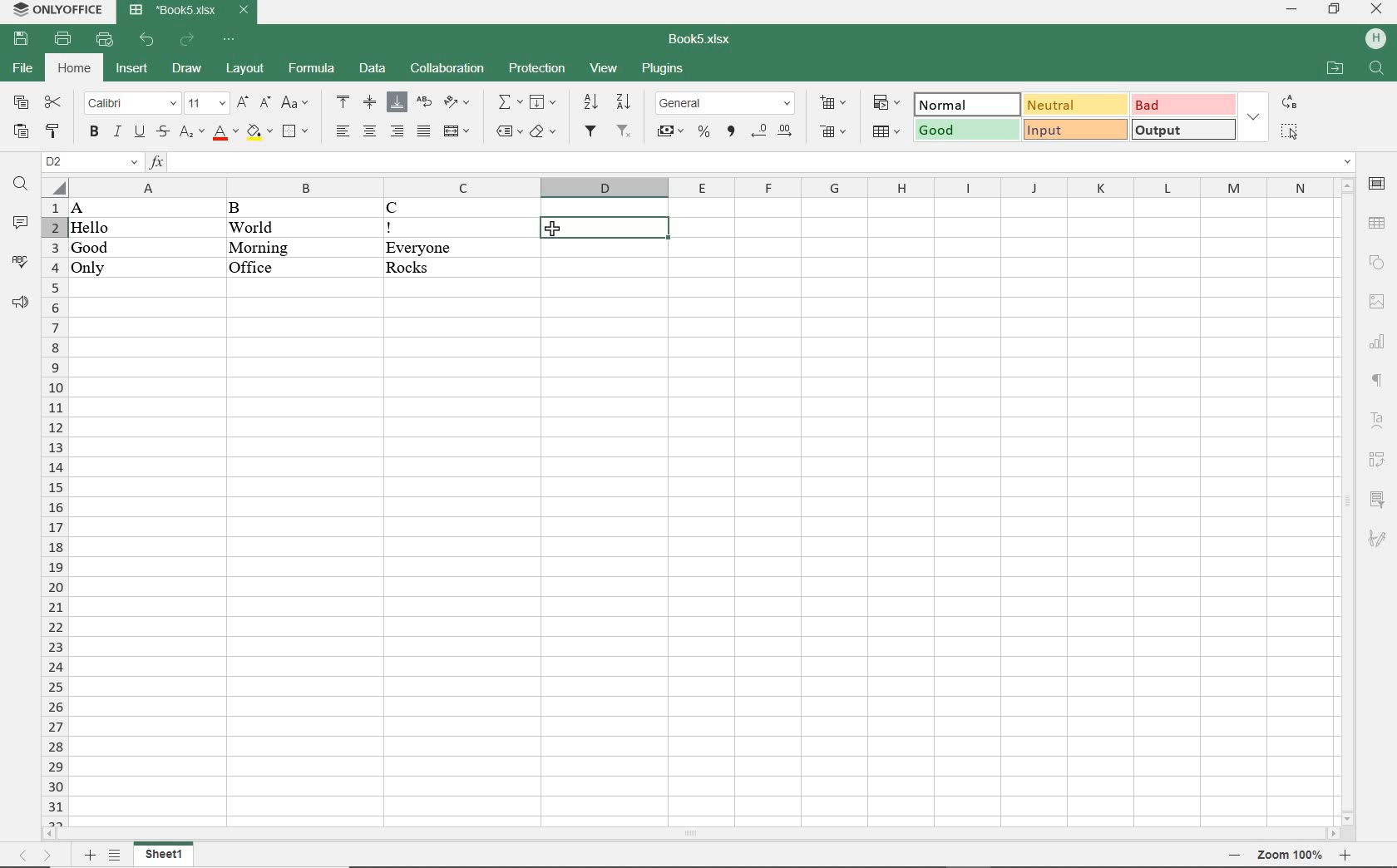 The height and width of the screenshot is (868, 1397). Describe the element at coordinates (457, 132) in the screenshot. I see `merge and center` at that location.